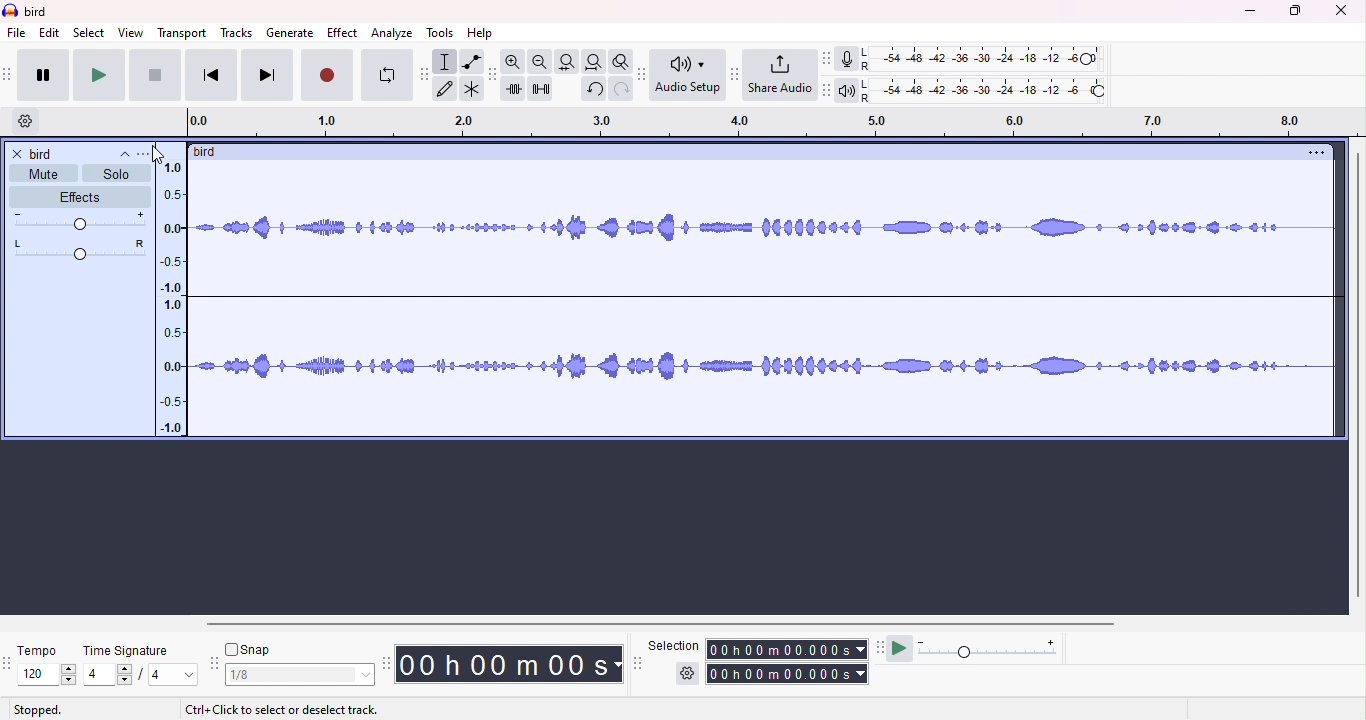 Image resolution: width=1366 pixels, height=720 pixels. What do you see at coordinates (471, 62) in the screenshot?
I see `envelop` at bounding box center [471, 62].